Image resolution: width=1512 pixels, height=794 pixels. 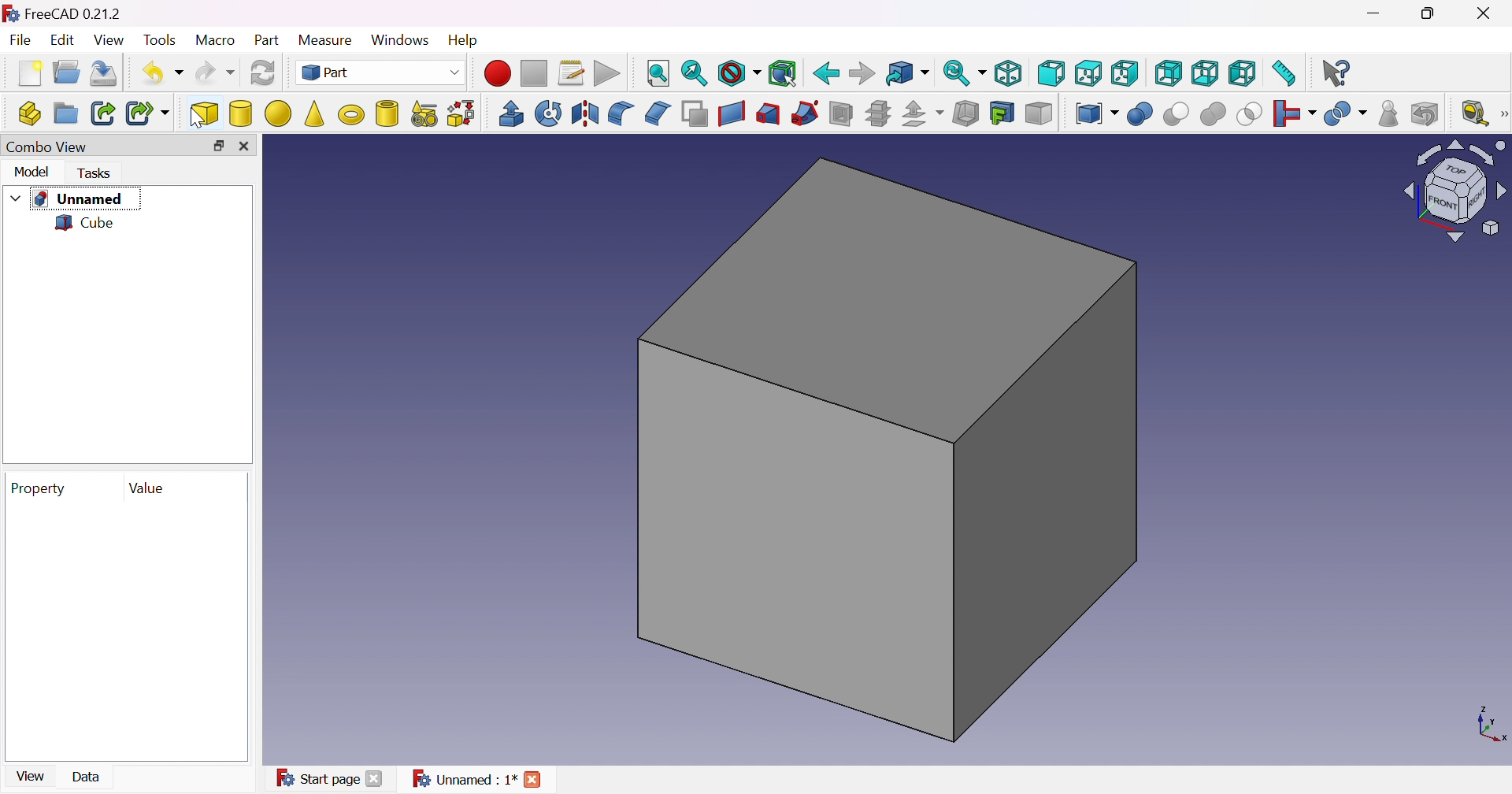 I want to click on Stop macro recording, so click(x=533, y=72).